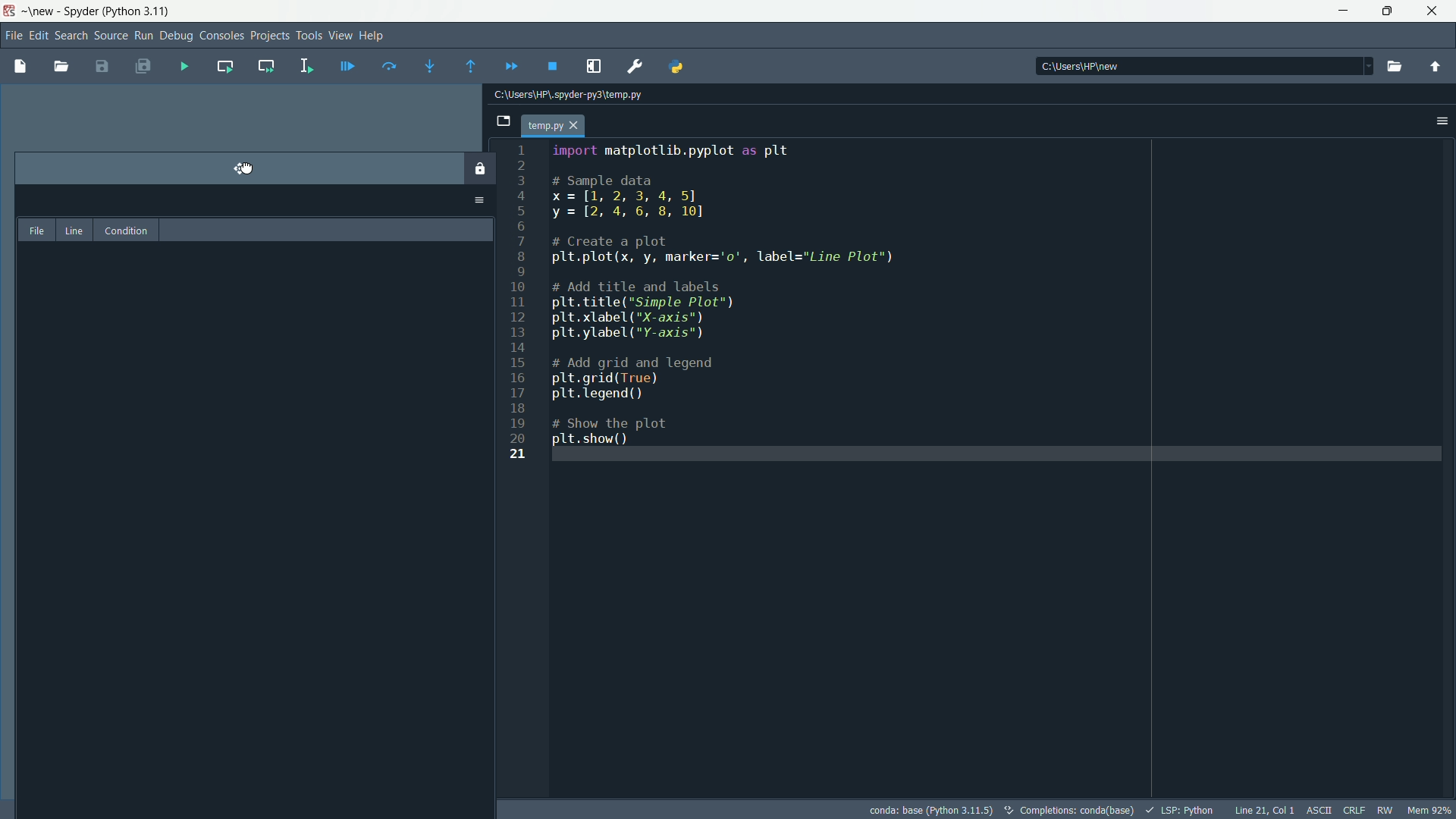 The image size is (1456, 819). What do you see at coordinates (1441, 123) in the screenshot?
I see `sidebar menu` at bounding box center [1441, 123].